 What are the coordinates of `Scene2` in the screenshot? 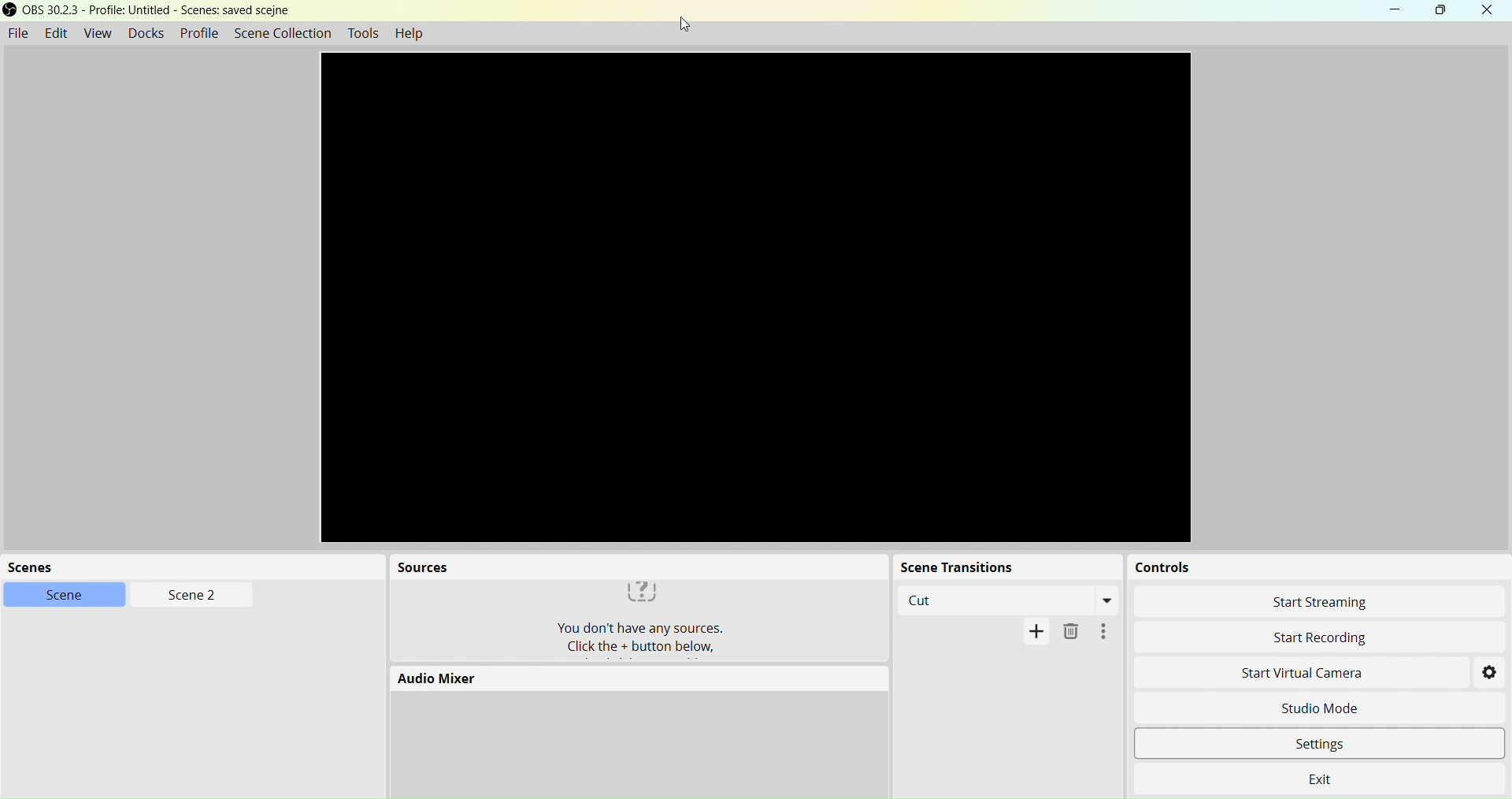 It's located at (186, 594).